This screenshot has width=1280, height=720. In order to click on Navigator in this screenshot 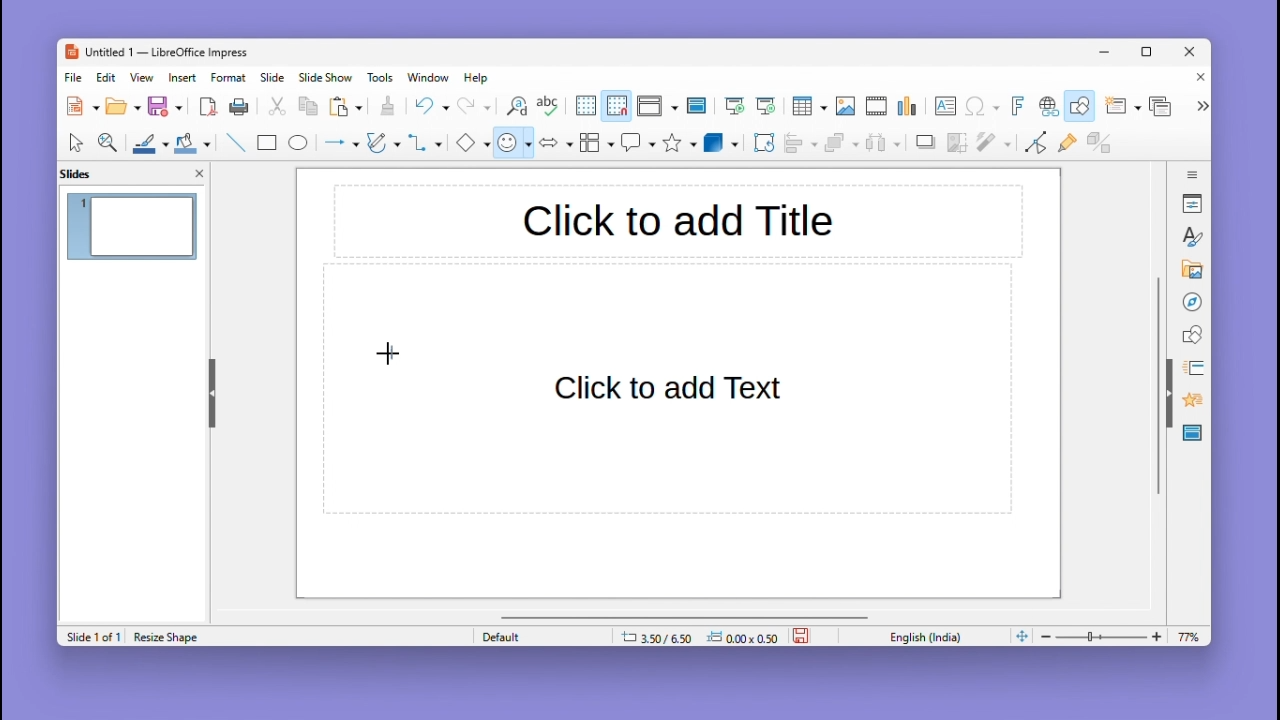, I will do `click(1192, 300)`.